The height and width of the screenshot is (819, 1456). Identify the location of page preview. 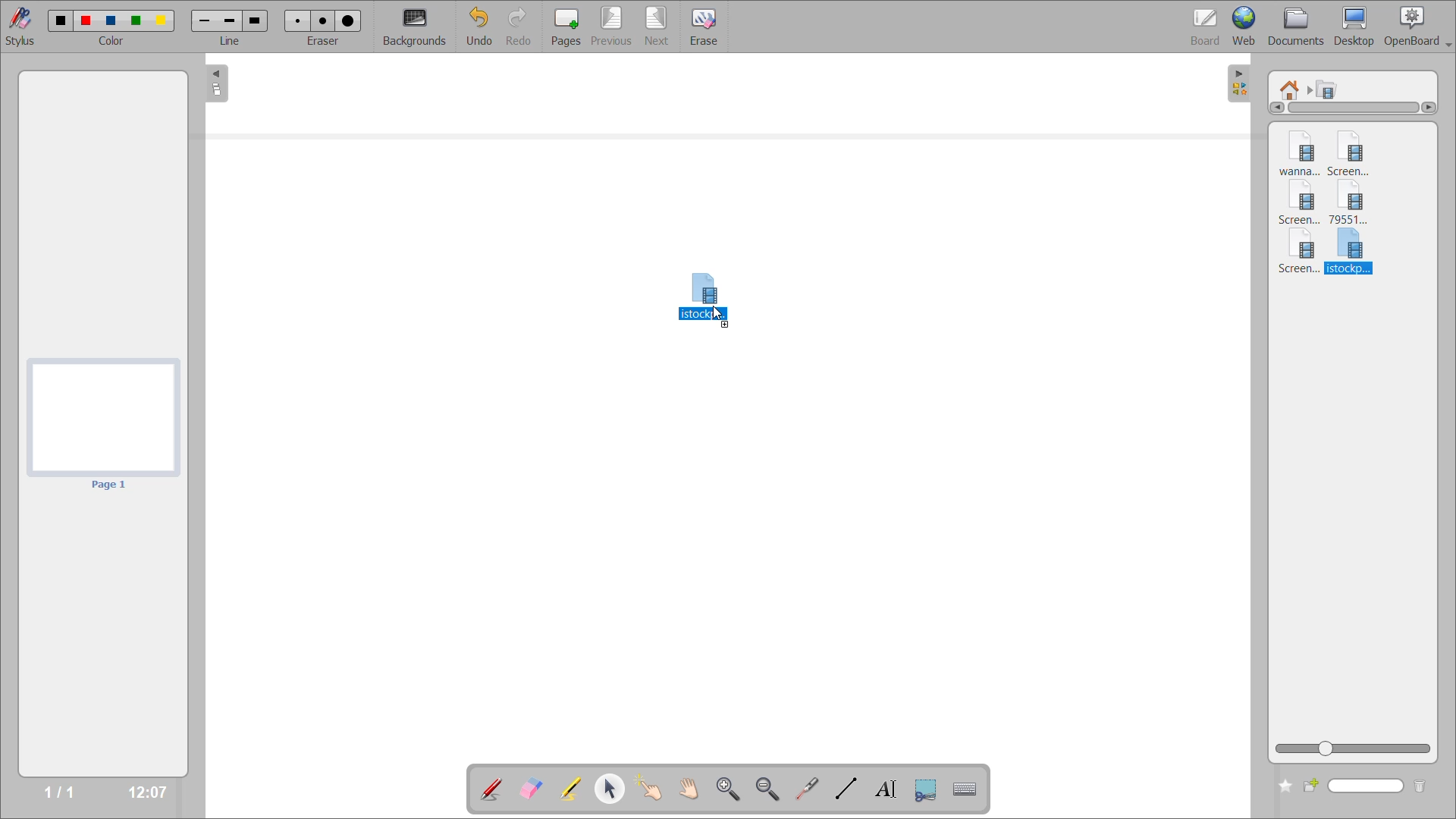
(104, 424).